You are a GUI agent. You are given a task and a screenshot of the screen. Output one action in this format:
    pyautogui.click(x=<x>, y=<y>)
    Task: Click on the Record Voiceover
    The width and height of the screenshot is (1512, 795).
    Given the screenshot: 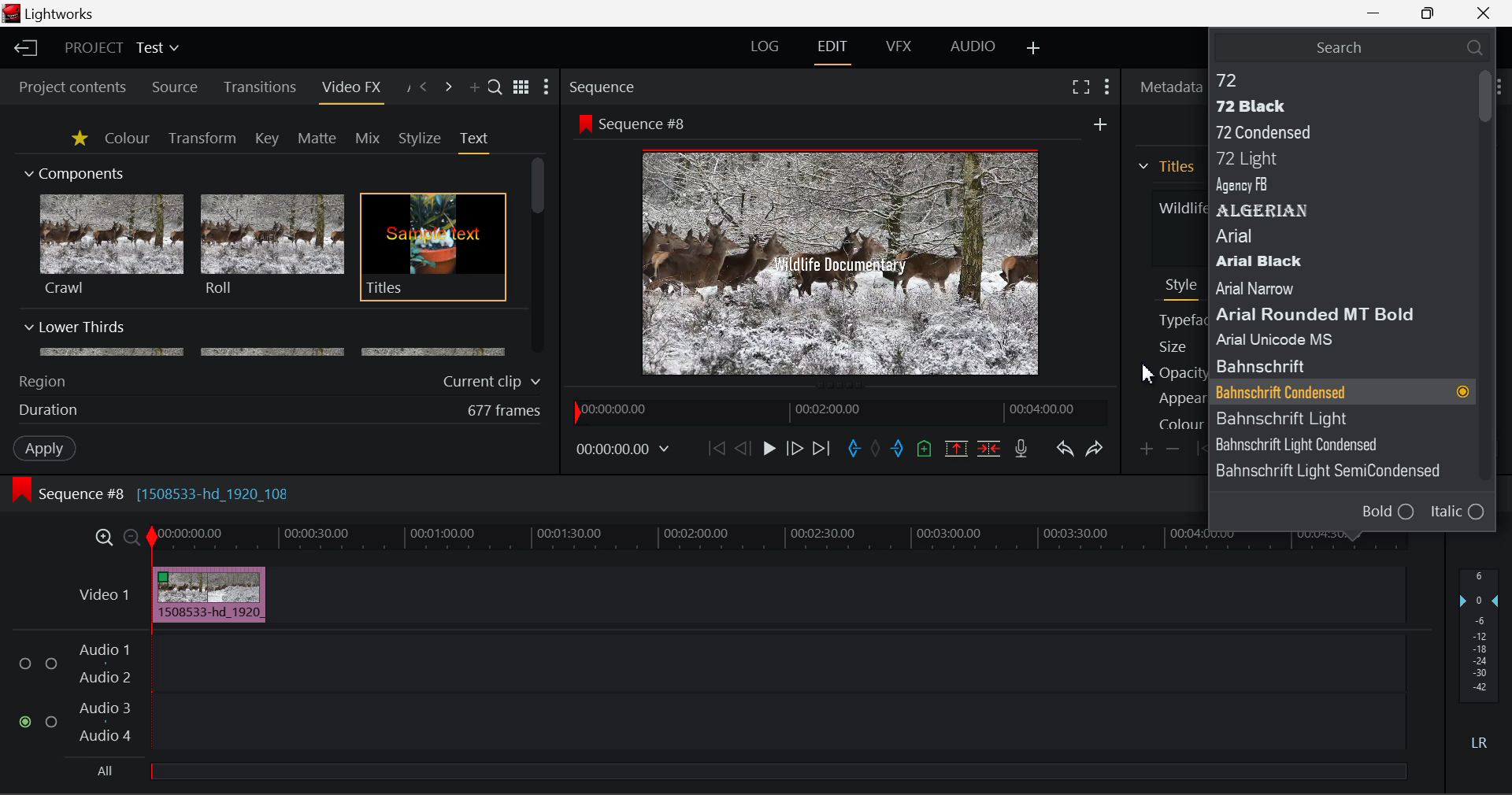 What is the action you would take?
    pyautogui.click(x=1021, y=452)
    